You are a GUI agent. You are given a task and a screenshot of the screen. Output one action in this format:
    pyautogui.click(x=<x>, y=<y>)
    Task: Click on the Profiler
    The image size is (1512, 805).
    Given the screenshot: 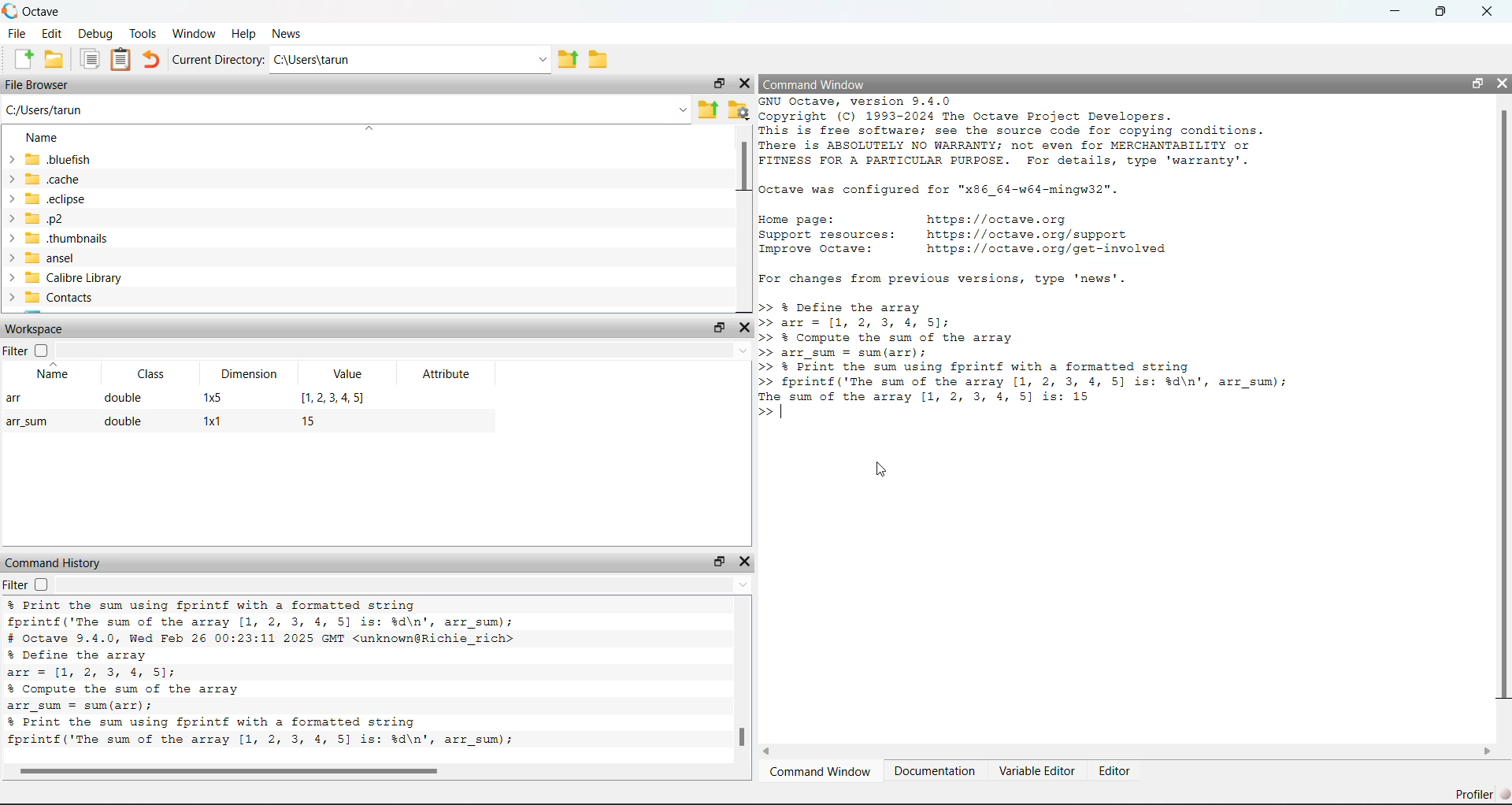 What is the action you would take?
    pyautogui.click(x=1479, y=794)
    